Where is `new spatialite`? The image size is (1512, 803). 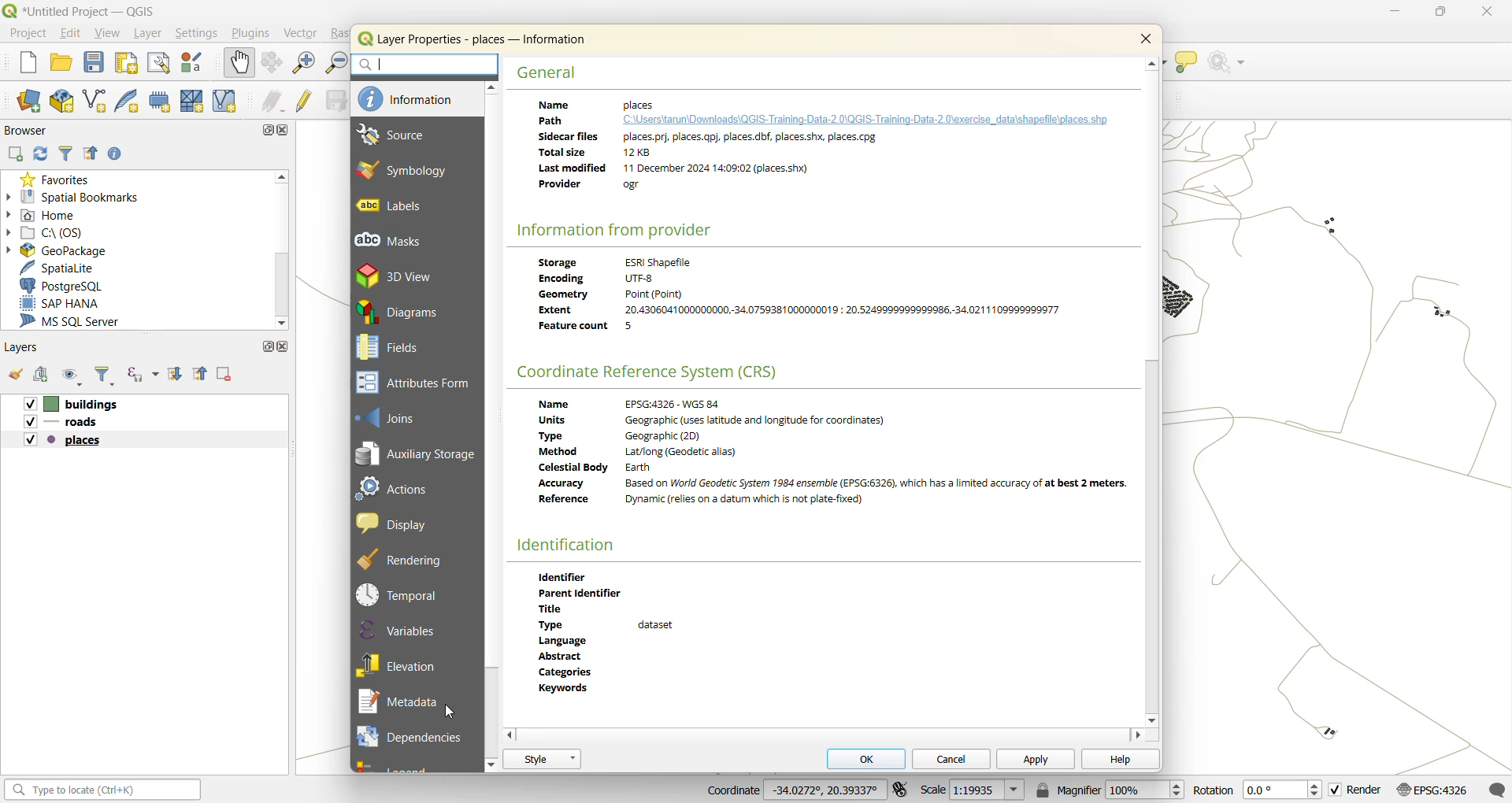
new spatialite is located at coordinates (132, 102).